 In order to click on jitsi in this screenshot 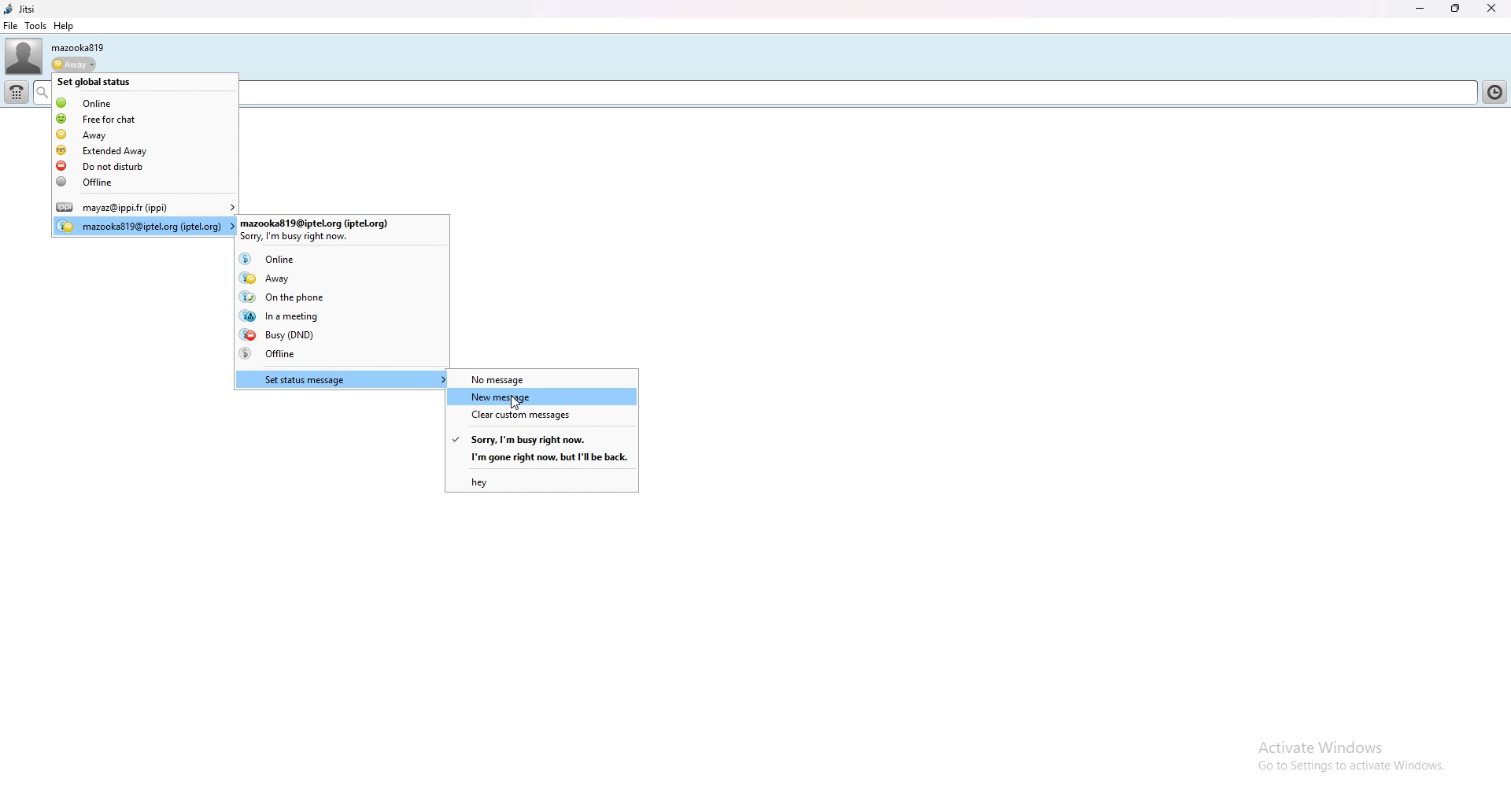, I will do `click(20, 9)`.